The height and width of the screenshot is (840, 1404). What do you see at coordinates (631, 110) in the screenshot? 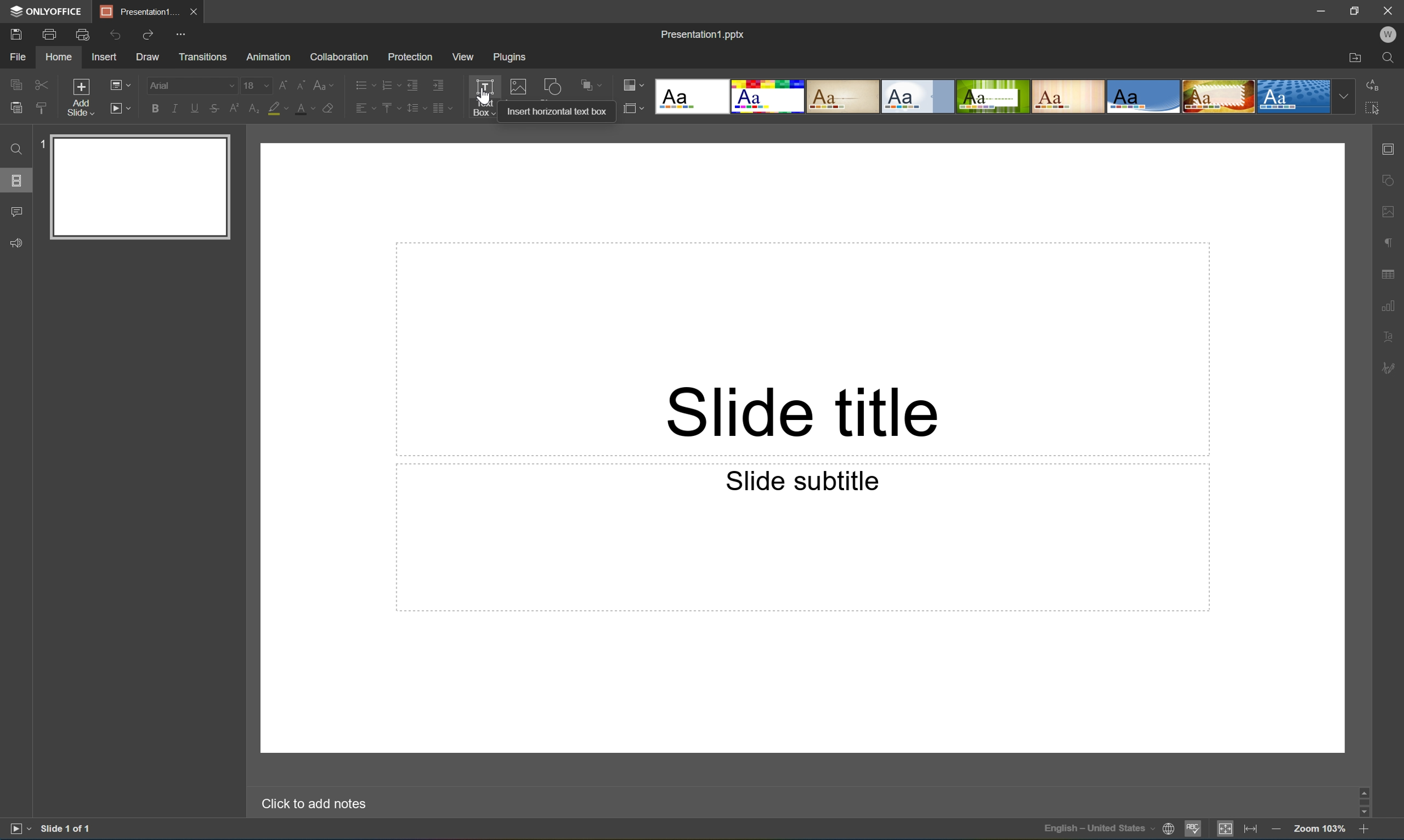
I see `Select slide size` at bounding box center [631, 110].